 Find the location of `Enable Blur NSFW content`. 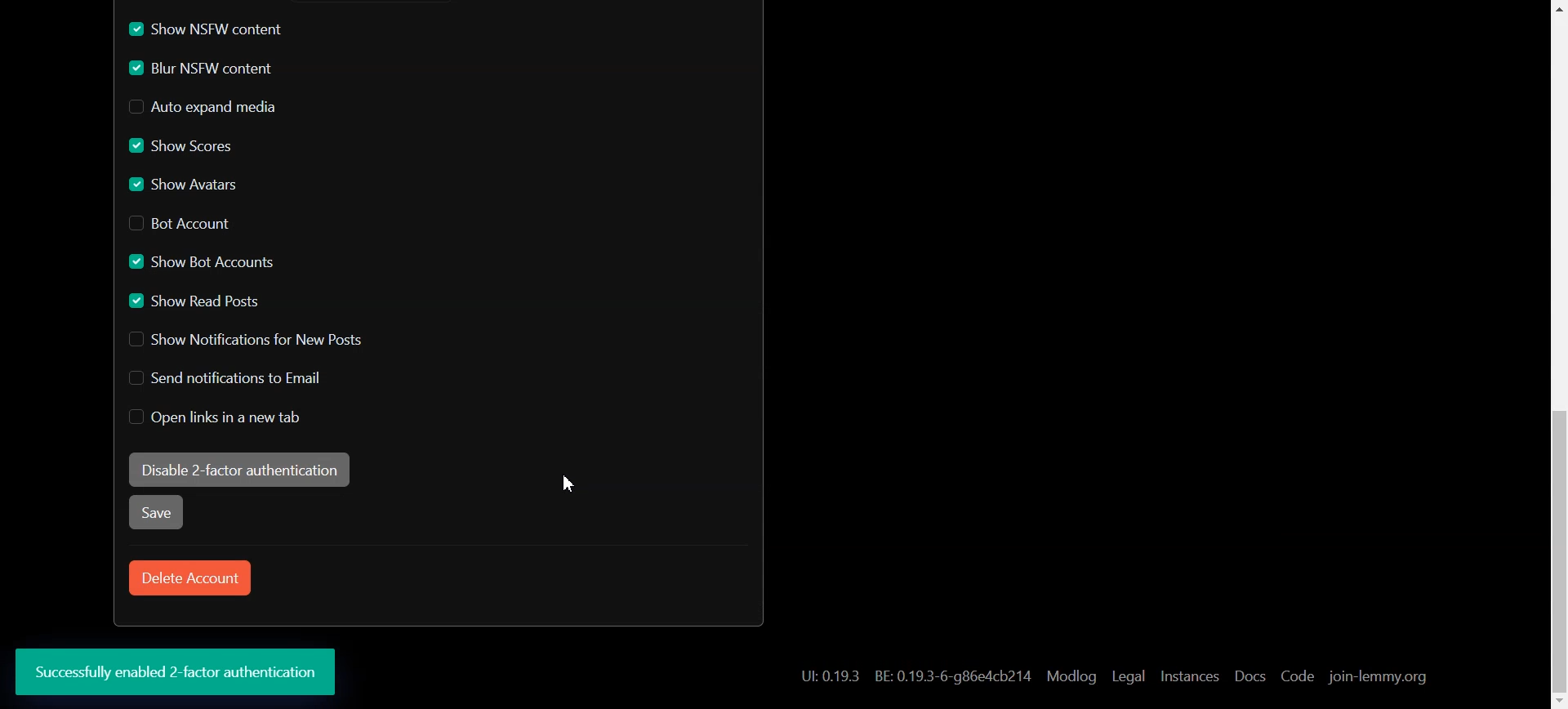

Enable Blur NSFW content is located at coordinates (229, 69).